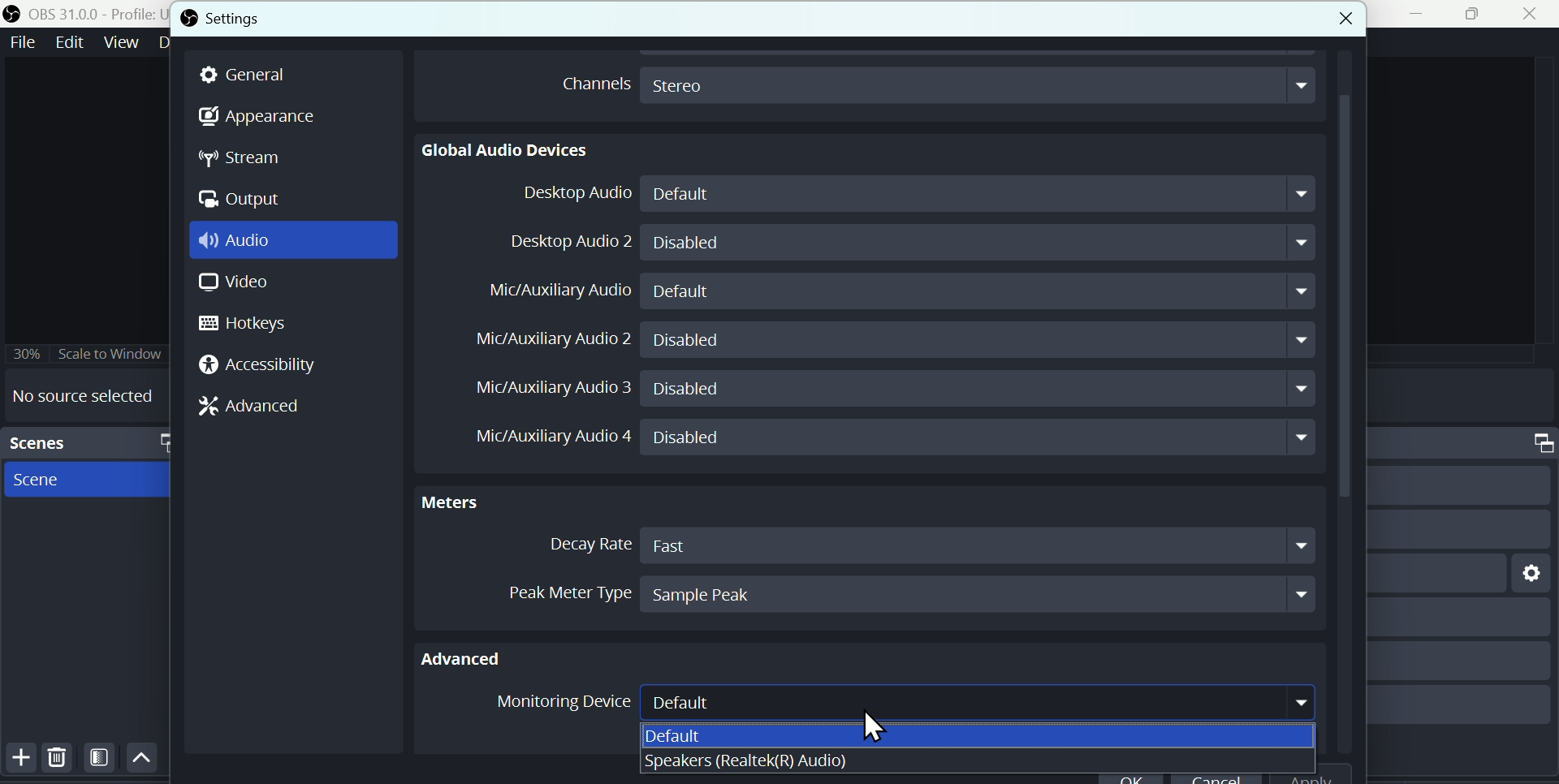  What do you see at coordinates (67, 42) in the screenshot?
I see `Edit` at bounding box center [67, 42].